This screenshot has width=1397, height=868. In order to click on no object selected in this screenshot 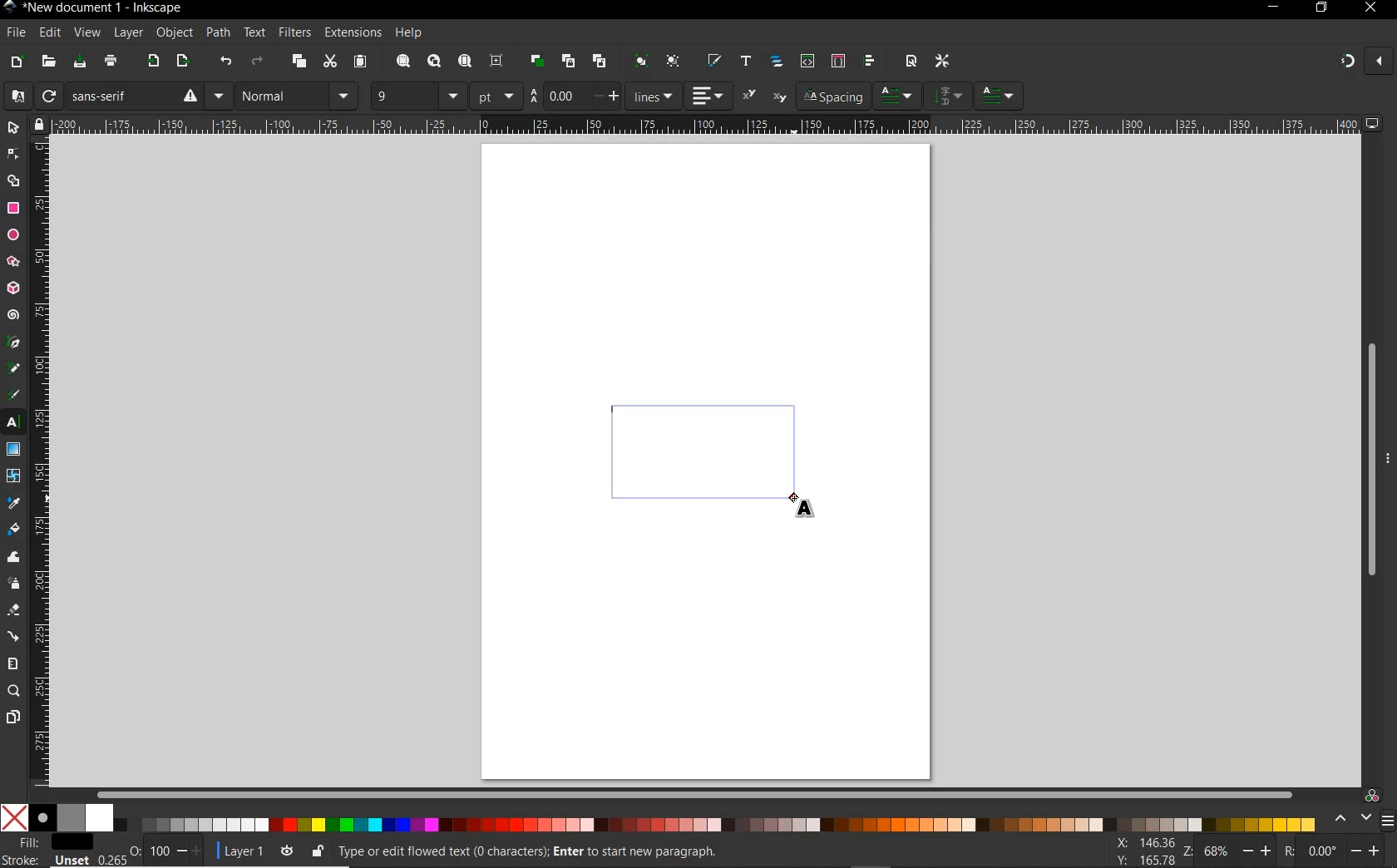, I will do `click(637, 851)`.